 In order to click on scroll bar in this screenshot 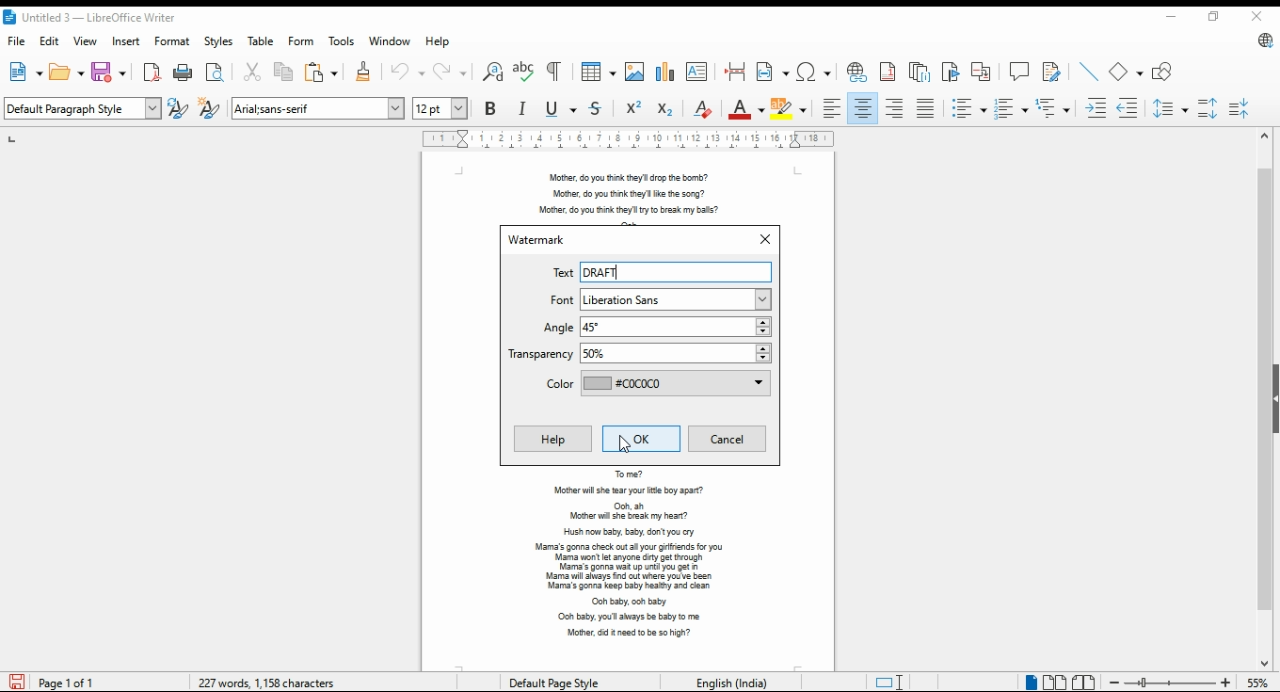, I will do `click(1264, 399)`.